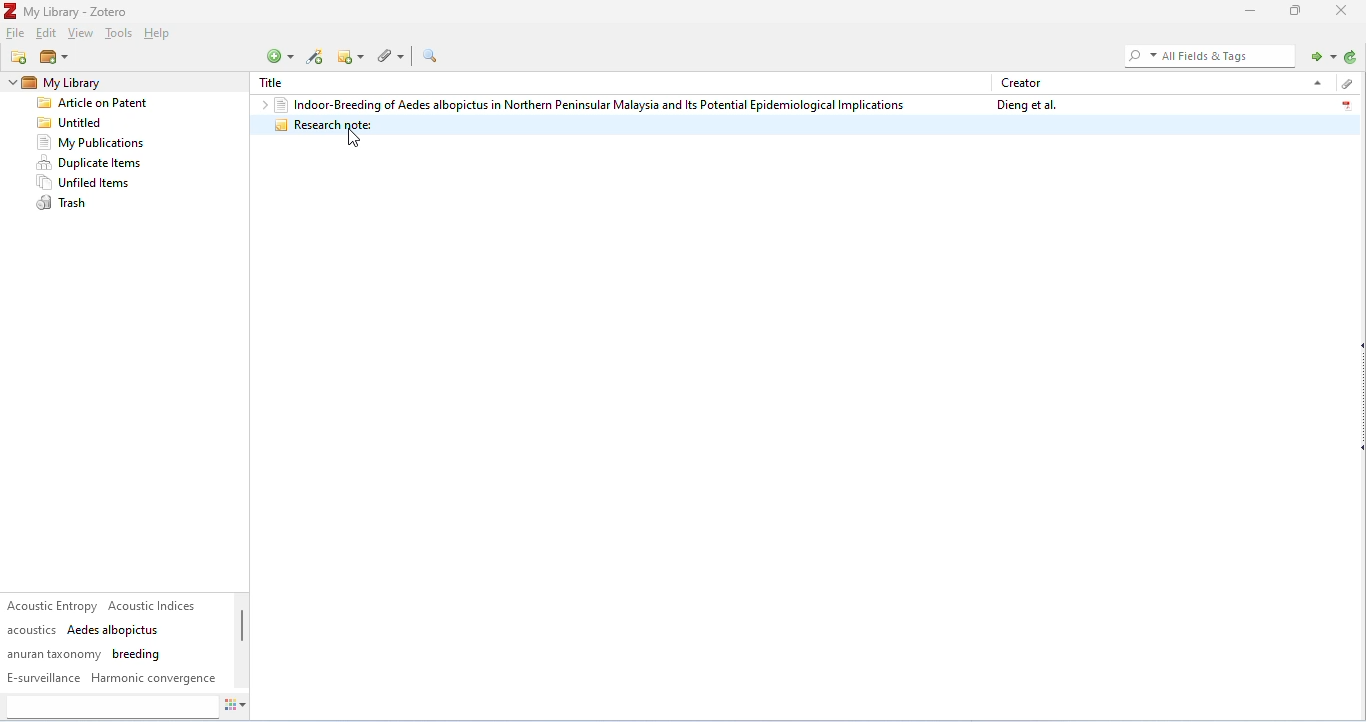 This screenshot has width=1366, height=722. I want to click on file, so click(17, 34).